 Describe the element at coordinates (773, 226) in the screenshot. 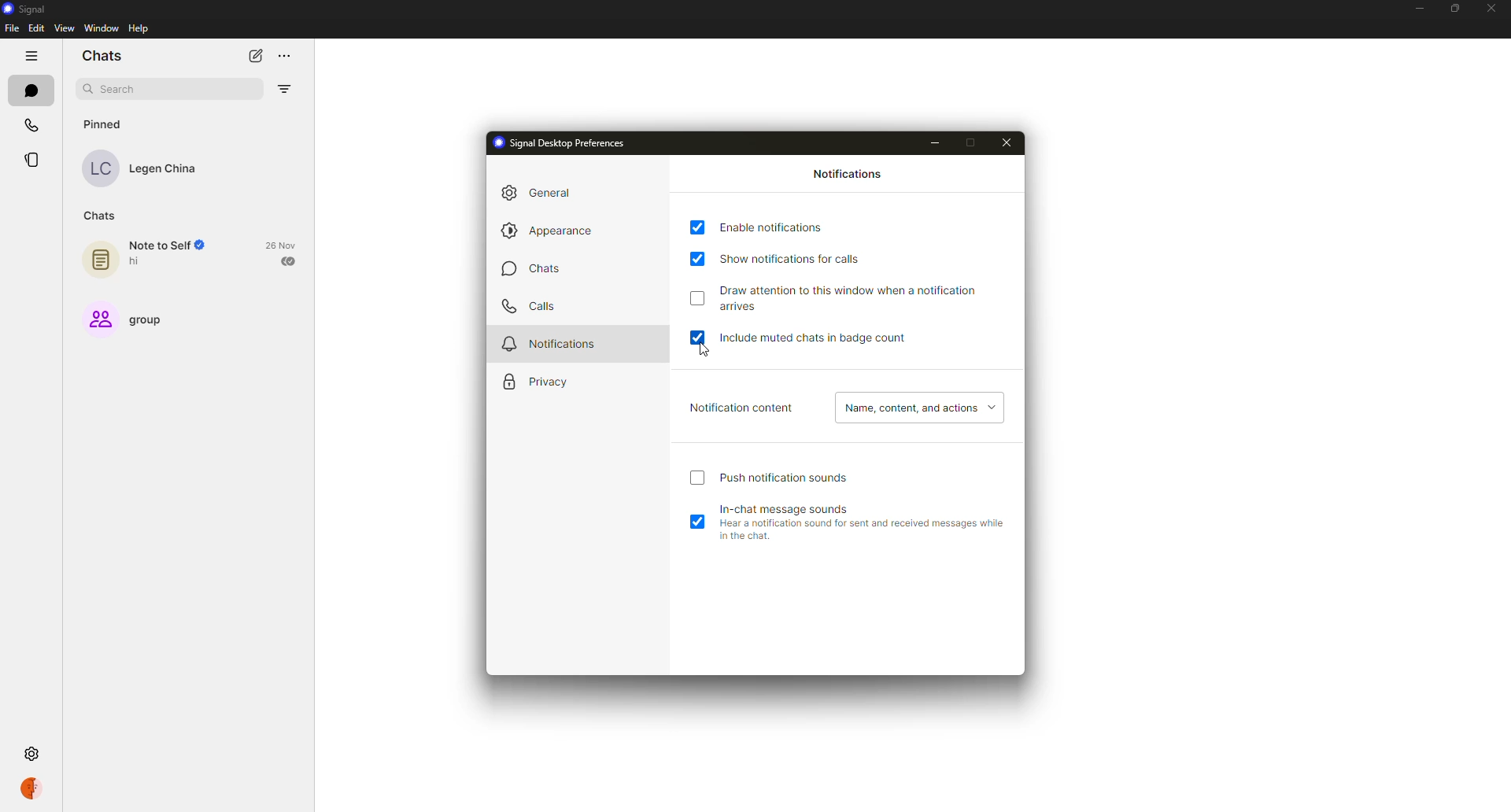

I see `enable notifications` at that location.